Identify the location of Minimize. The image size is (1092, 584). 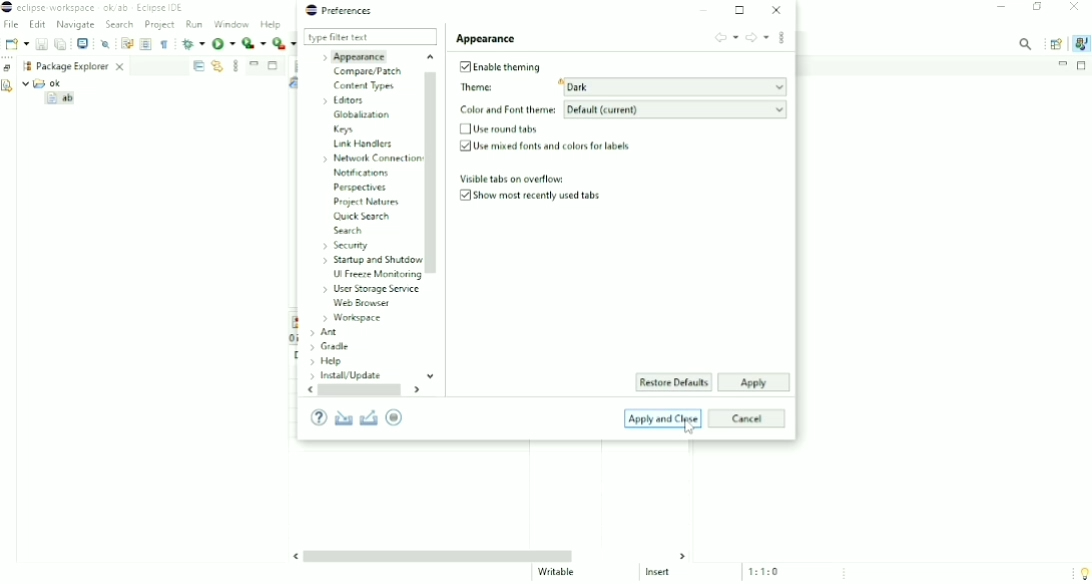
(706, 10).